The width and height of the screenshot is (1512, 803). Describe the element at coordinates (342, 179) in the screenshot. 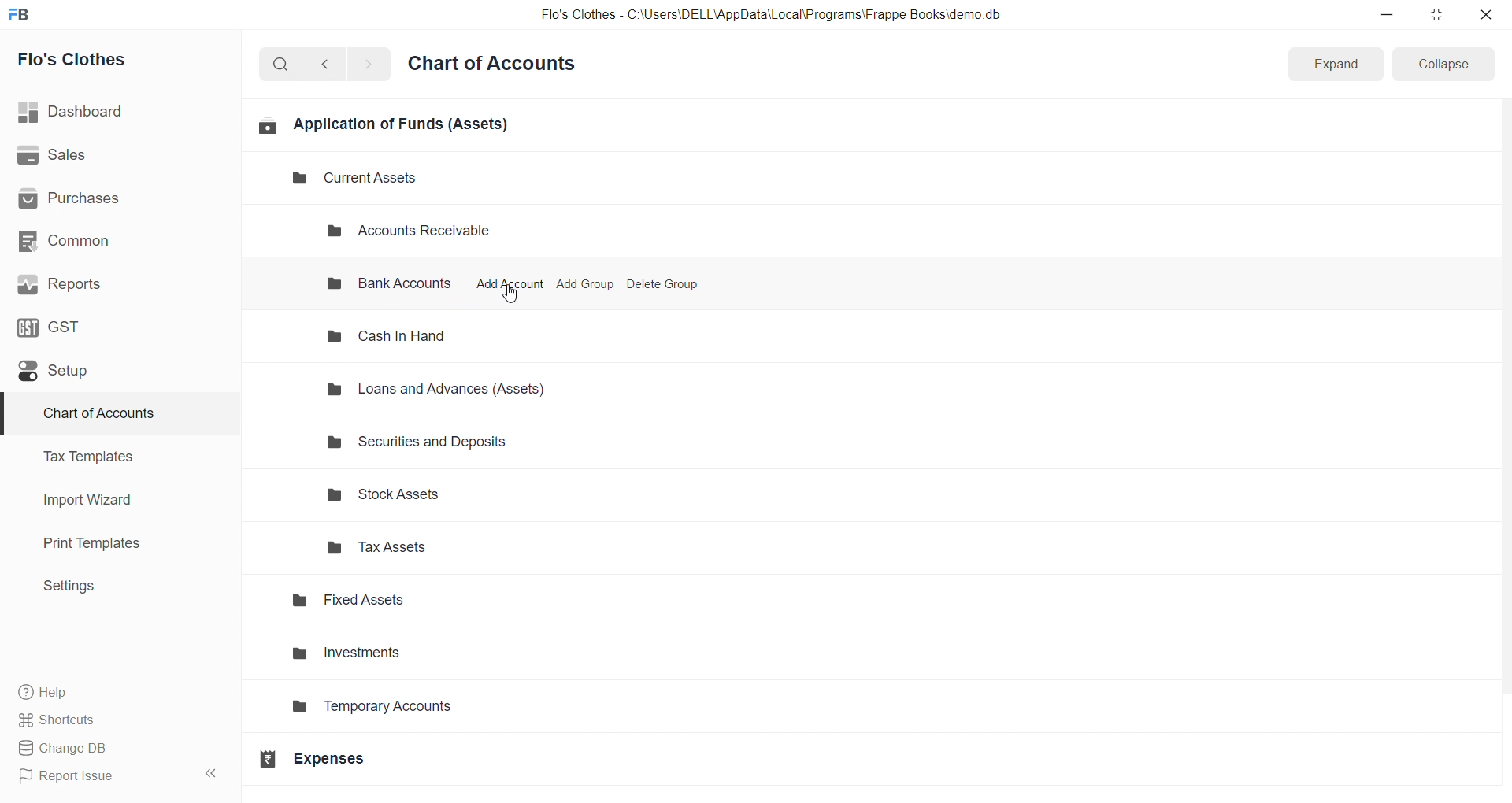

I see `Current Assets` at that location.